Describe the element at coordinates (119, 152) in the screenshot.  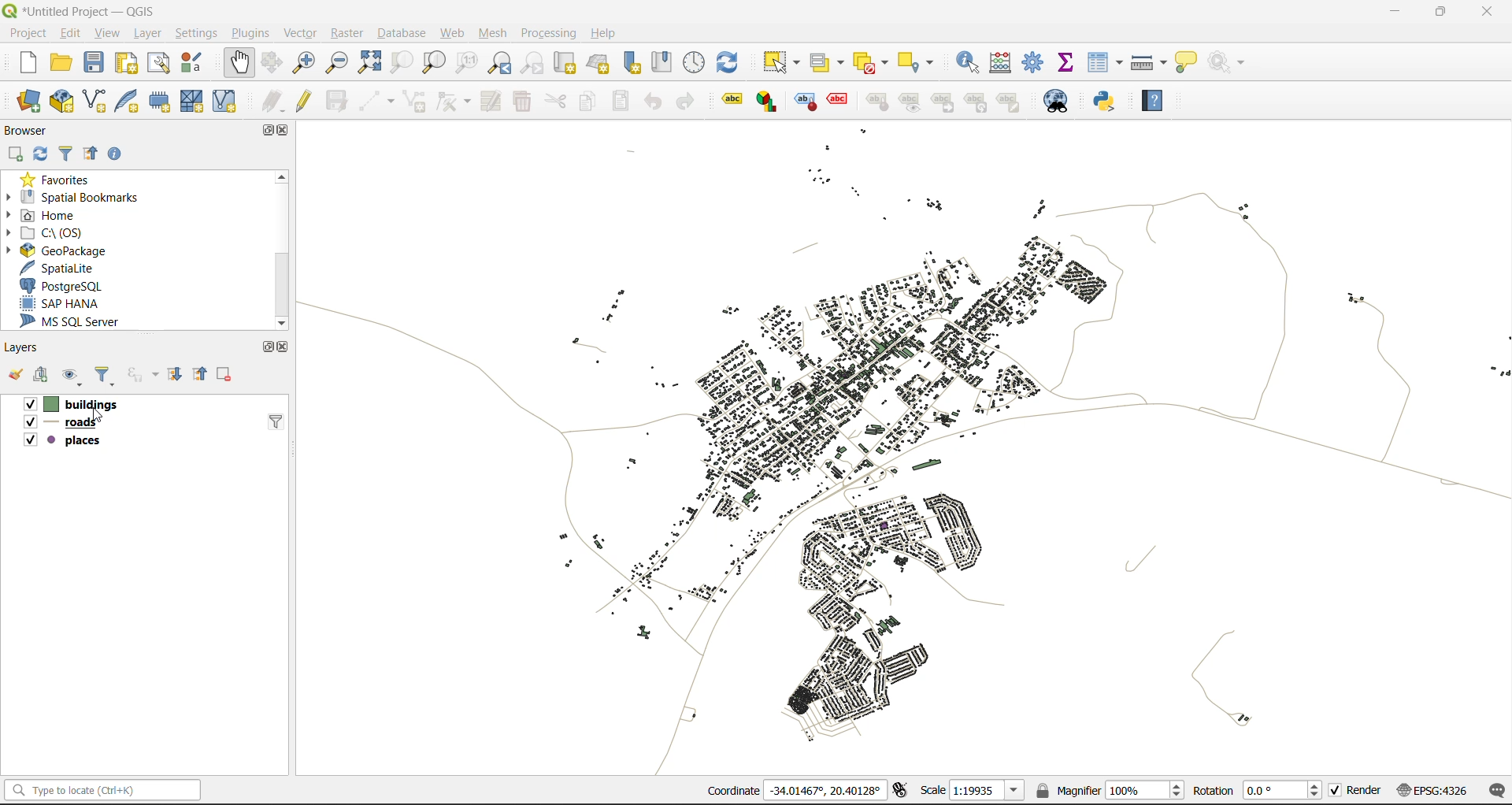
I see `enable properties` at that location.